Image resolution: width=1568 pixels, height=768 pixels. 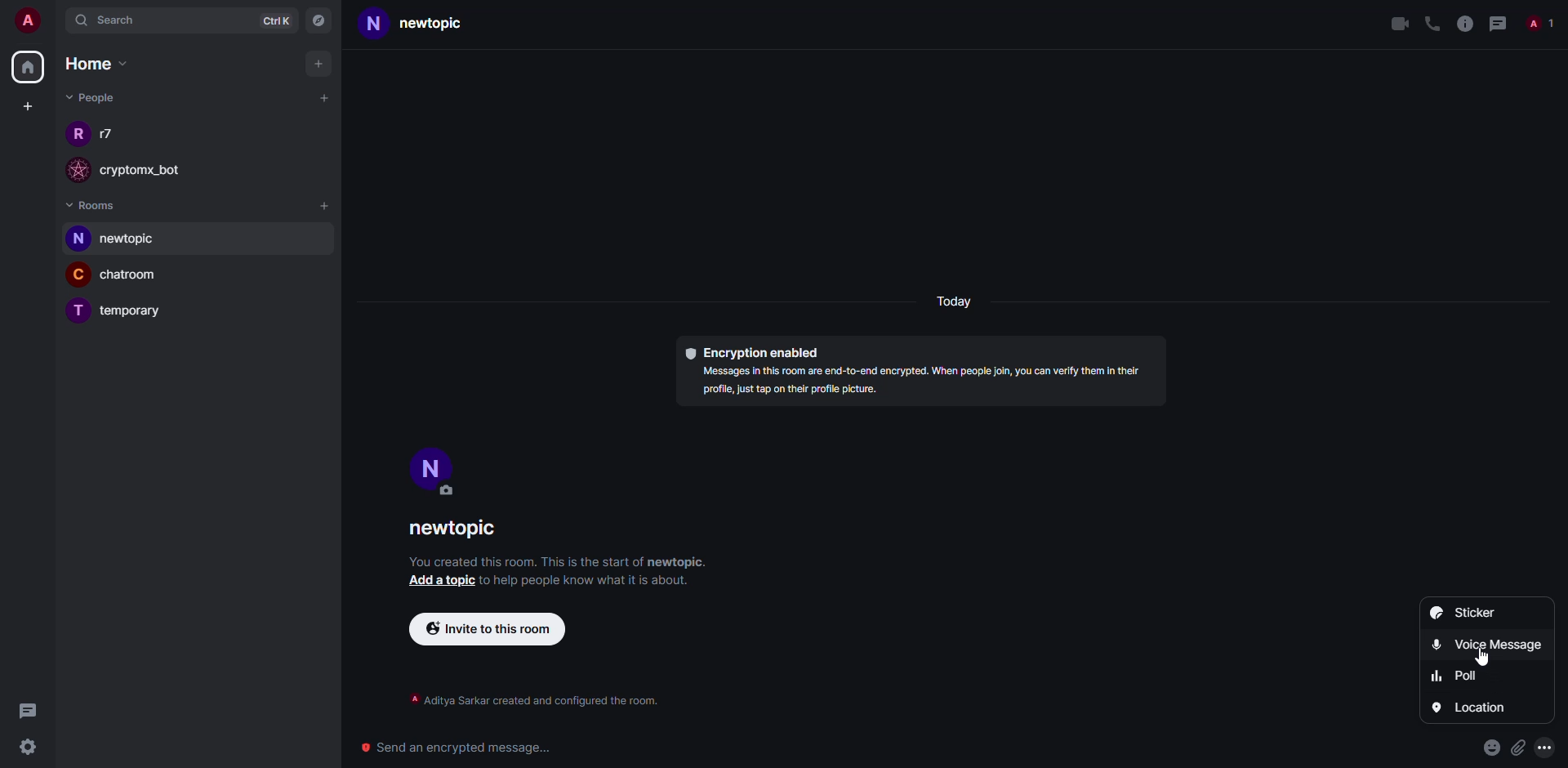 I want to click on poll, so click(x=1453, y=674).